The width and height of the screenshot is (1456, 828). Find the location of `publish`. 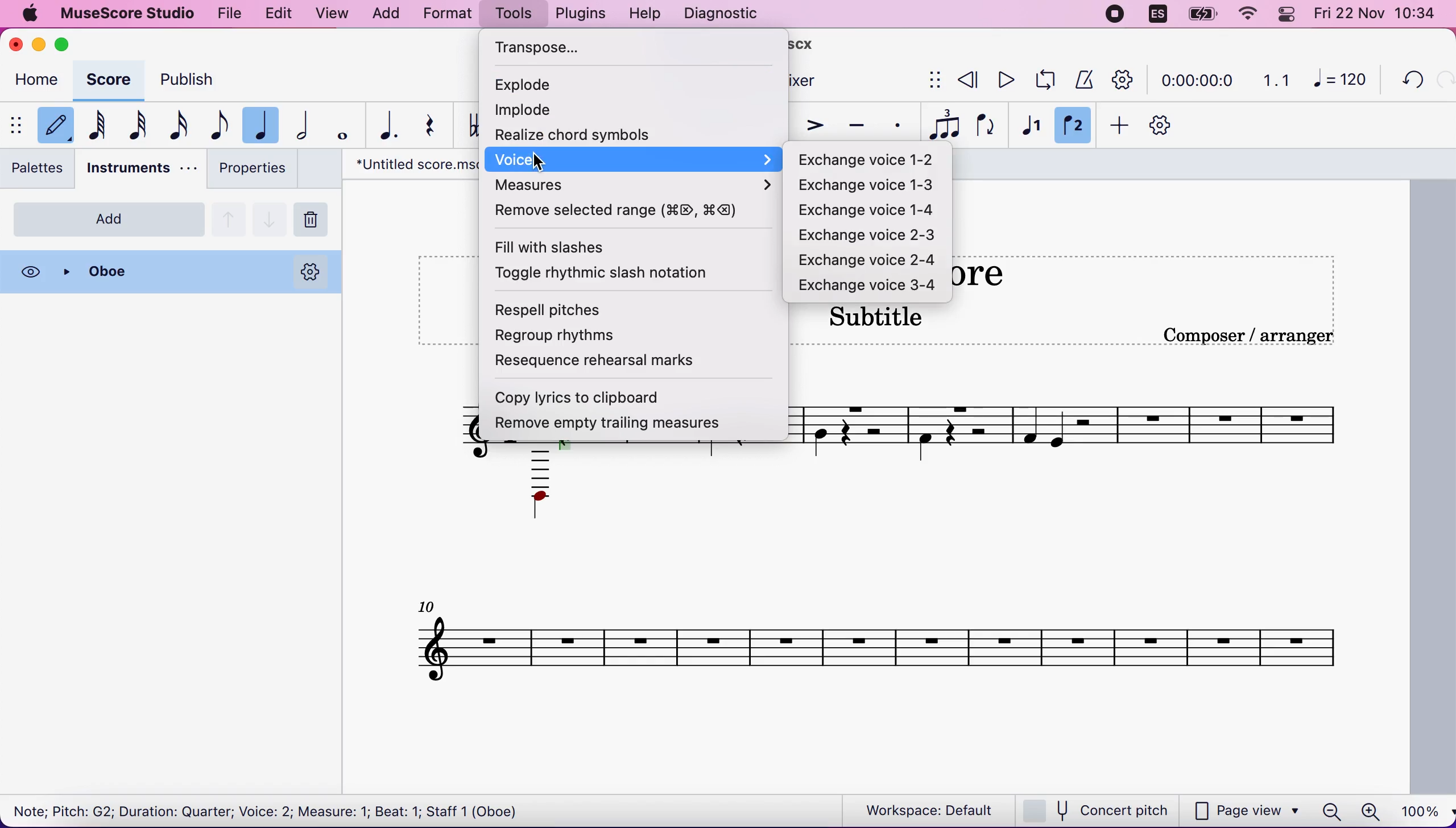

publish is located at coordinates (194, 79).